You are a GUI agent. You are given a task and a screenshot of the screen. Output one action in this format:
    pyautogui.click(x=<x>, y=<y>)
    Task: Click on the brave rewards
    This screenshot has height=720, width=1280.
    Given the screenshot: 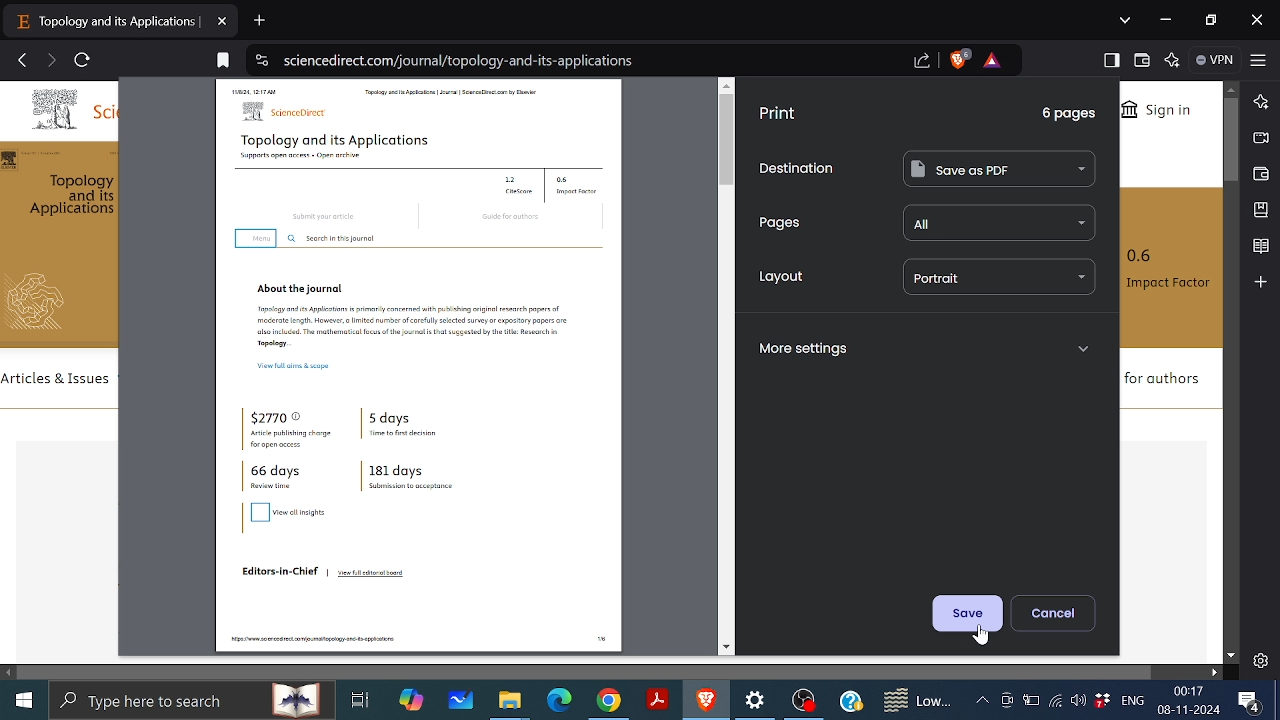 What is the action you would take?
    pyautogui.click(x=996, y=61)
    